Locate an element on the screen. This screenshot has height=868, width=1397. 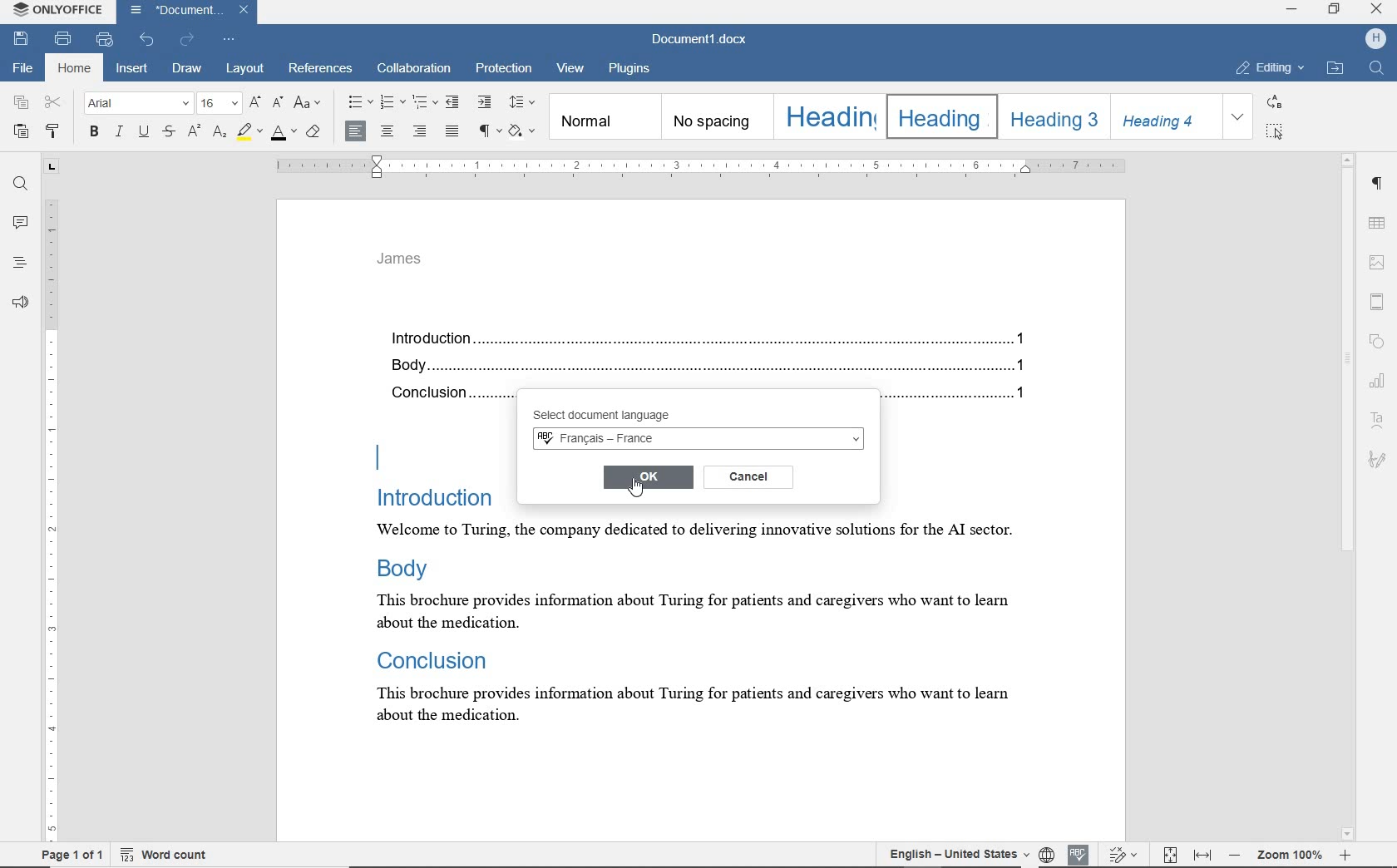
change case is located at coordinates (310, 104).